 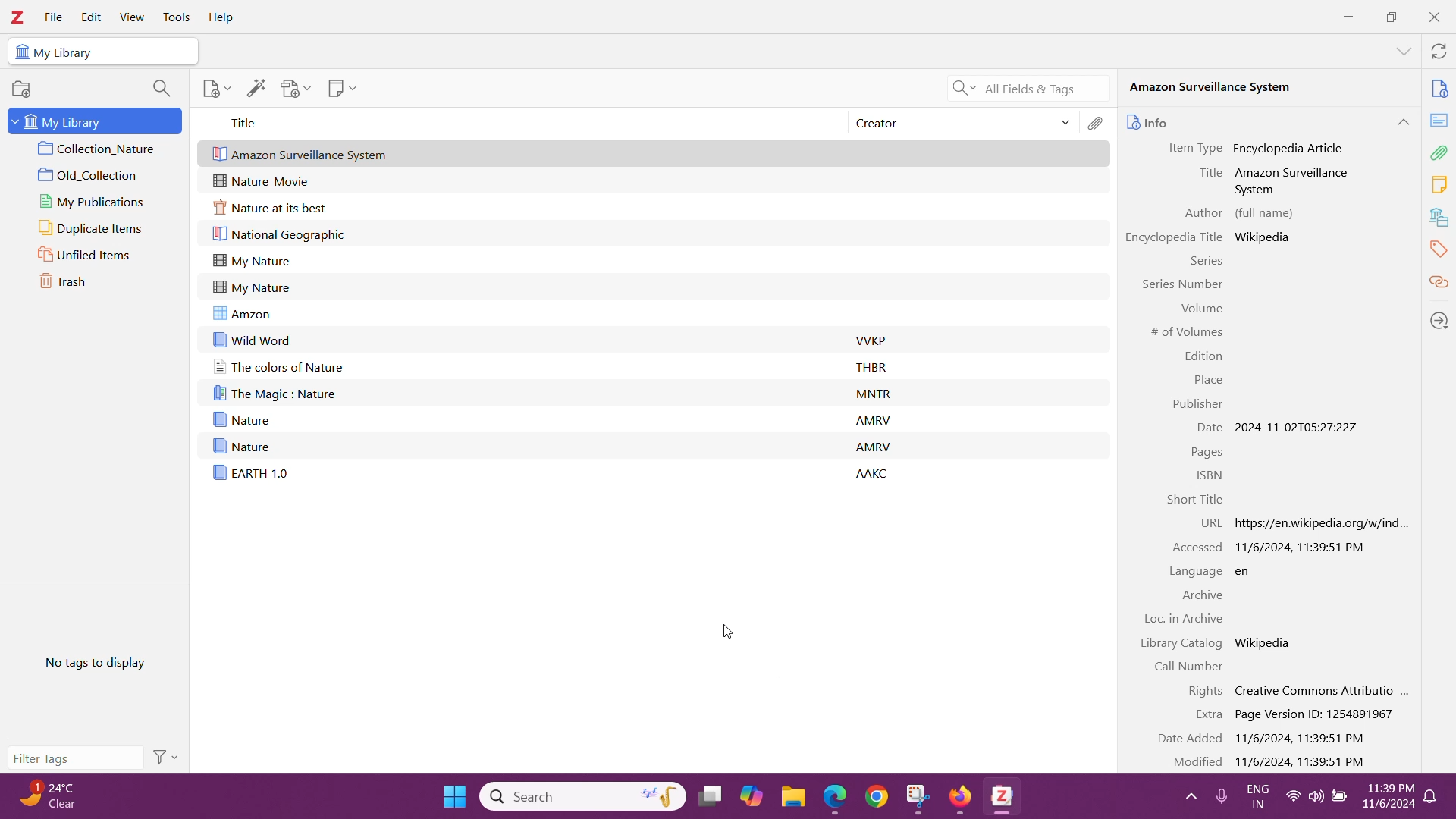 What do you see at coordinates (1185, 149) in the screenshot?
I see `Item Type` at bounding box center [1185, 149].